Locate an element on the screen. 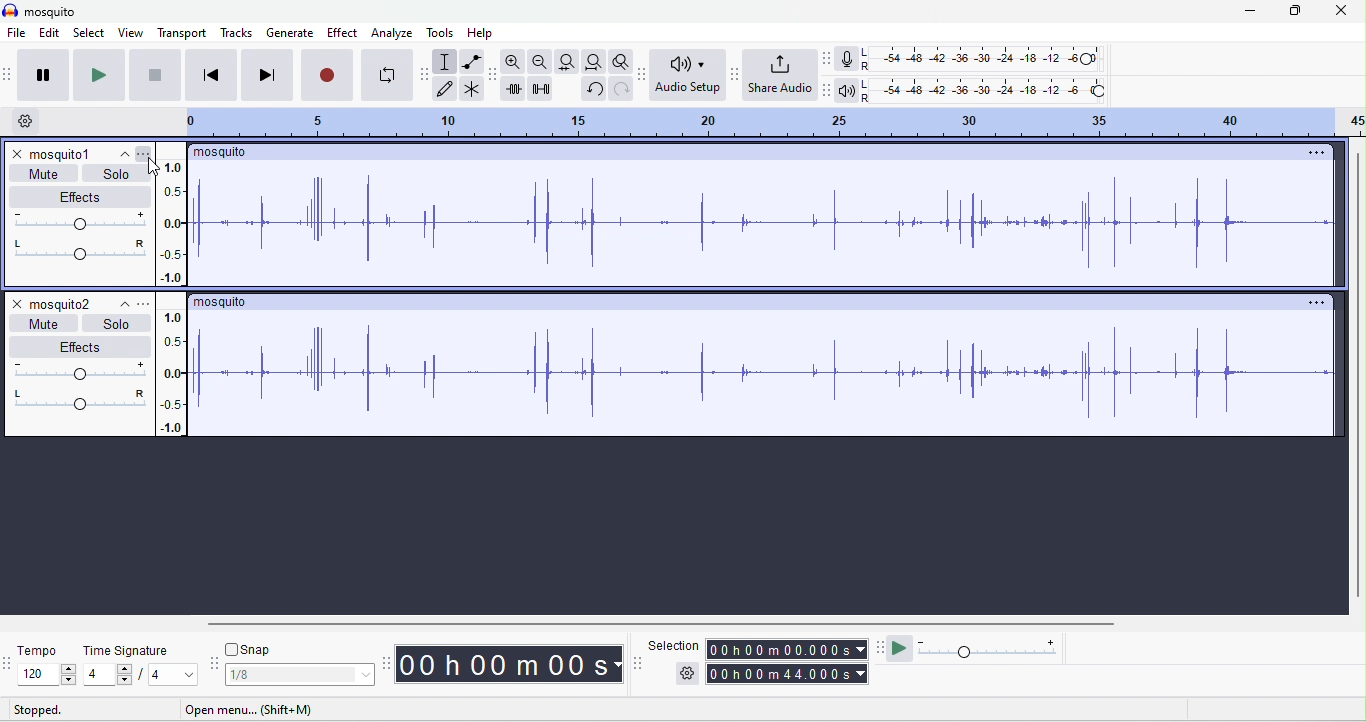 Image resolution: width=1366 pixels, height=722 pixels. play at speed/ play at speed once is located at coordinates (900, 647).